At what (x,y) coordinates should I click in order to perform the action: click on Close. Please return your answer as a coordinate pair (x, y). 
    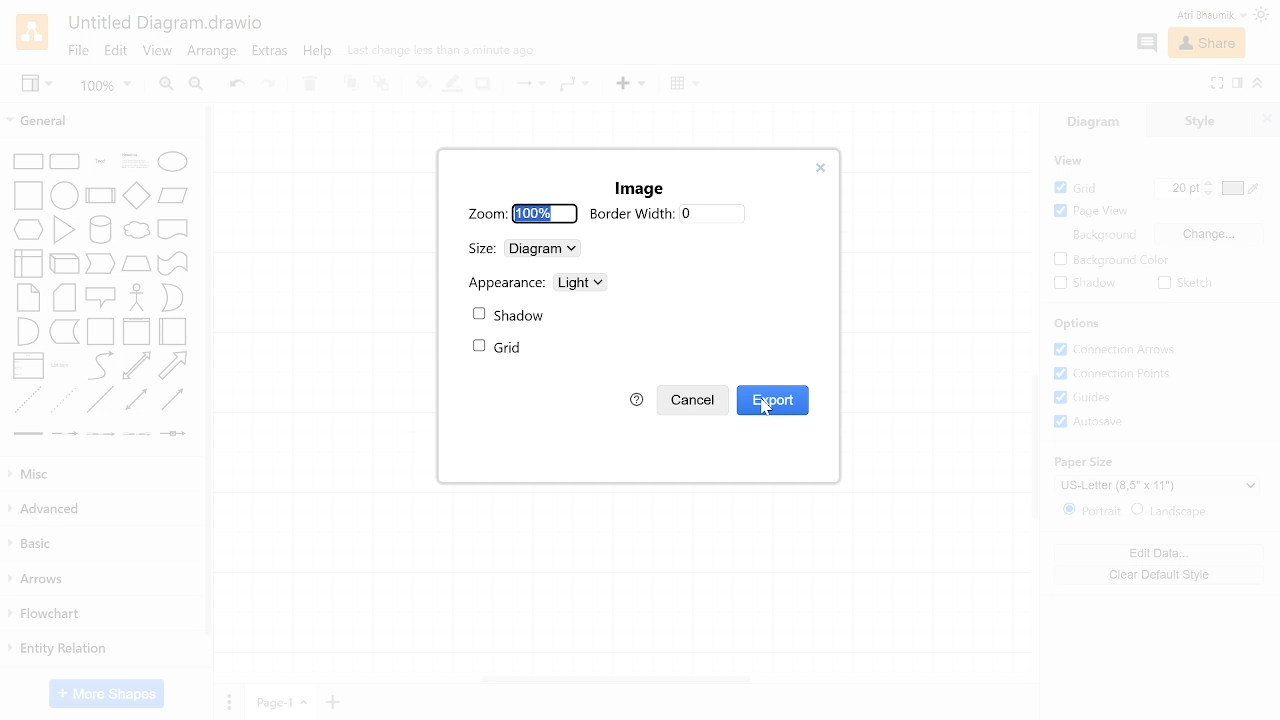
    Looking at the image, I should click on (1267, 120).